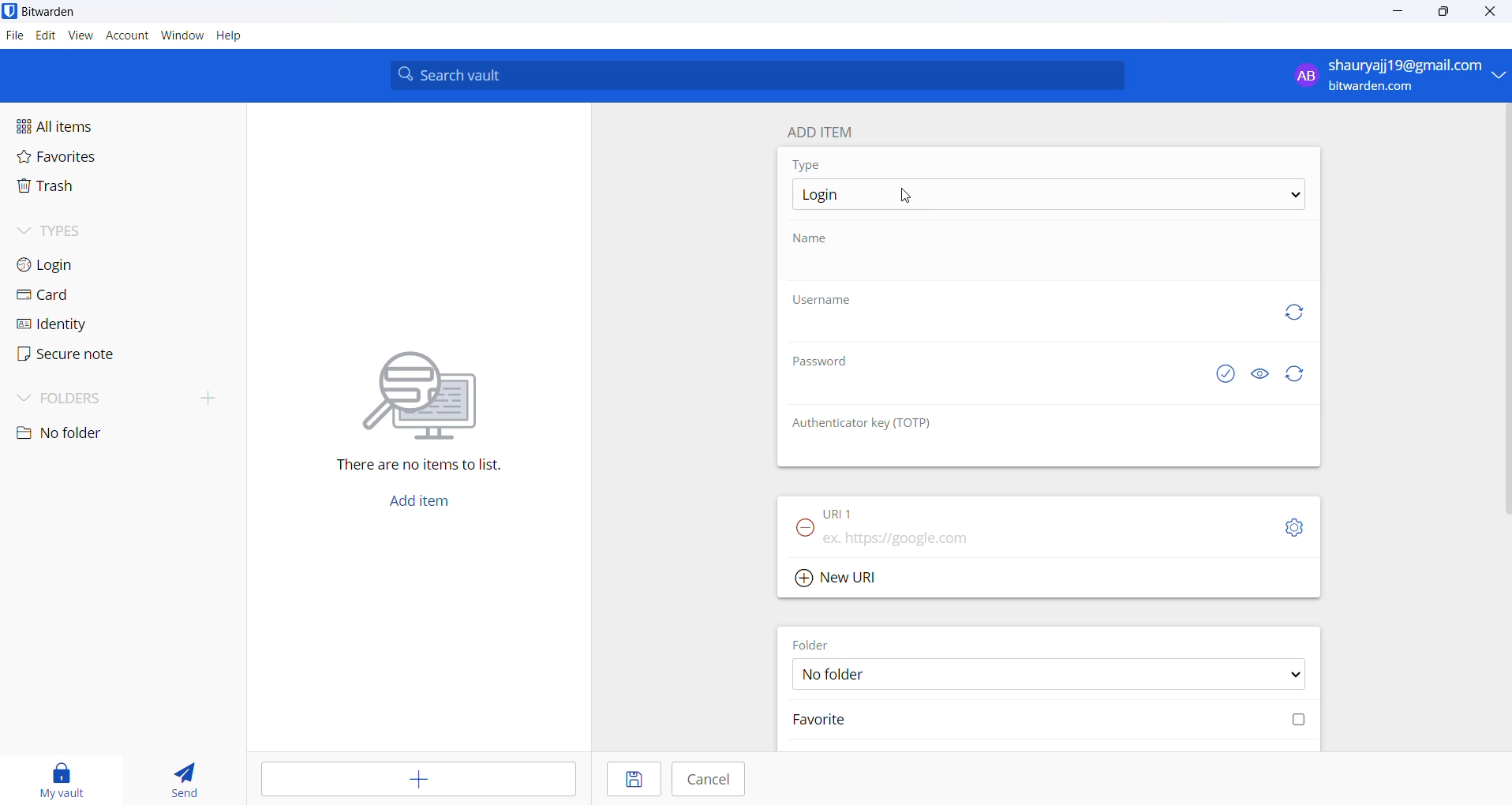 The width and height of the screenshot is (1512, 805). I want to click on folder heading, so click(810, 645).